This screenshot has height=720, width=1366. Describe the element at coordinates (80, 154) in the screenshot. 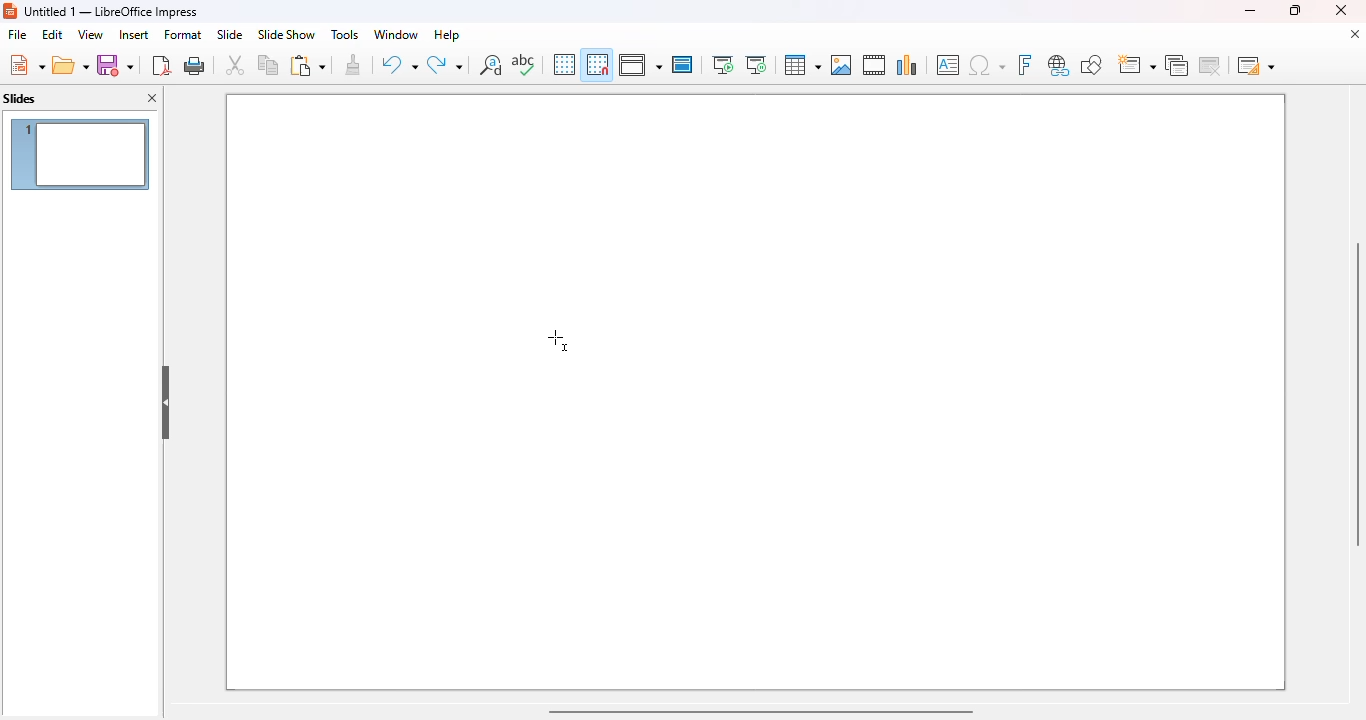

I see `slide 1` at that location.